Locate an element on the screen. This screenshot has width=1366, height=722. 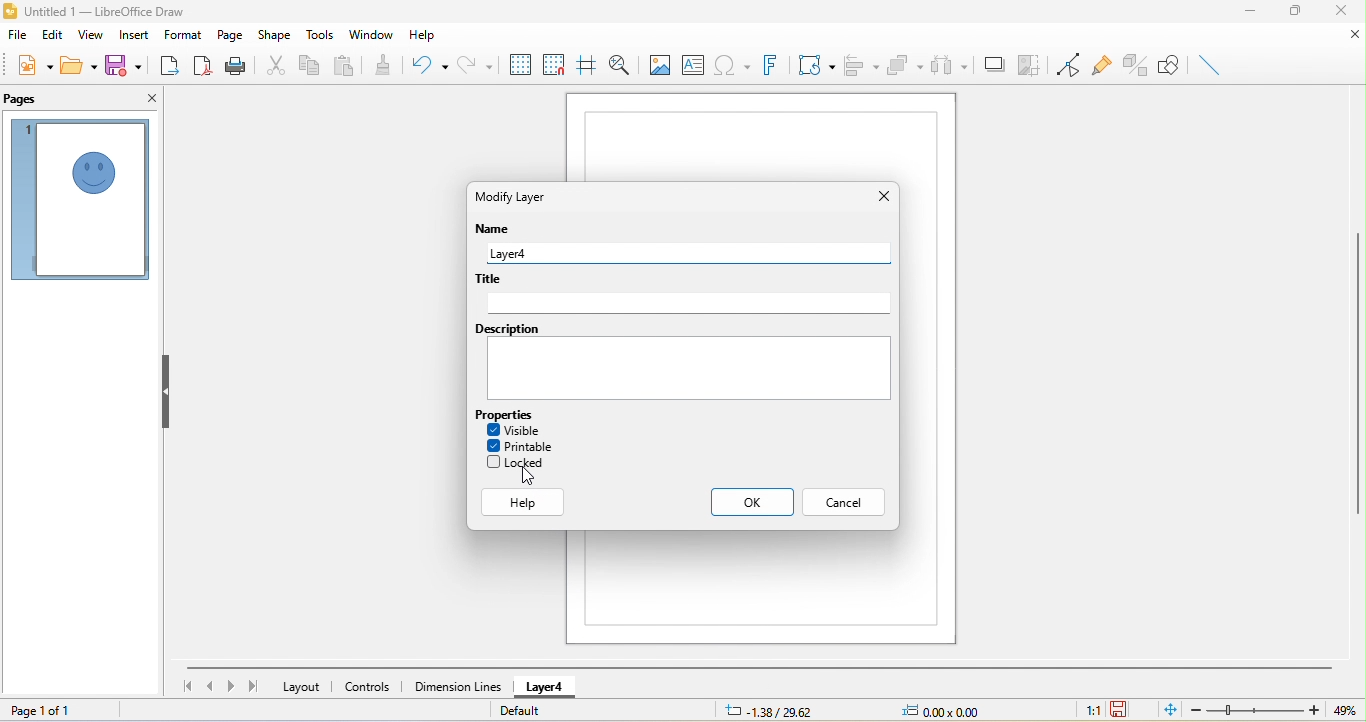
-1.38/29.62 is located at coordinates (779, 710).